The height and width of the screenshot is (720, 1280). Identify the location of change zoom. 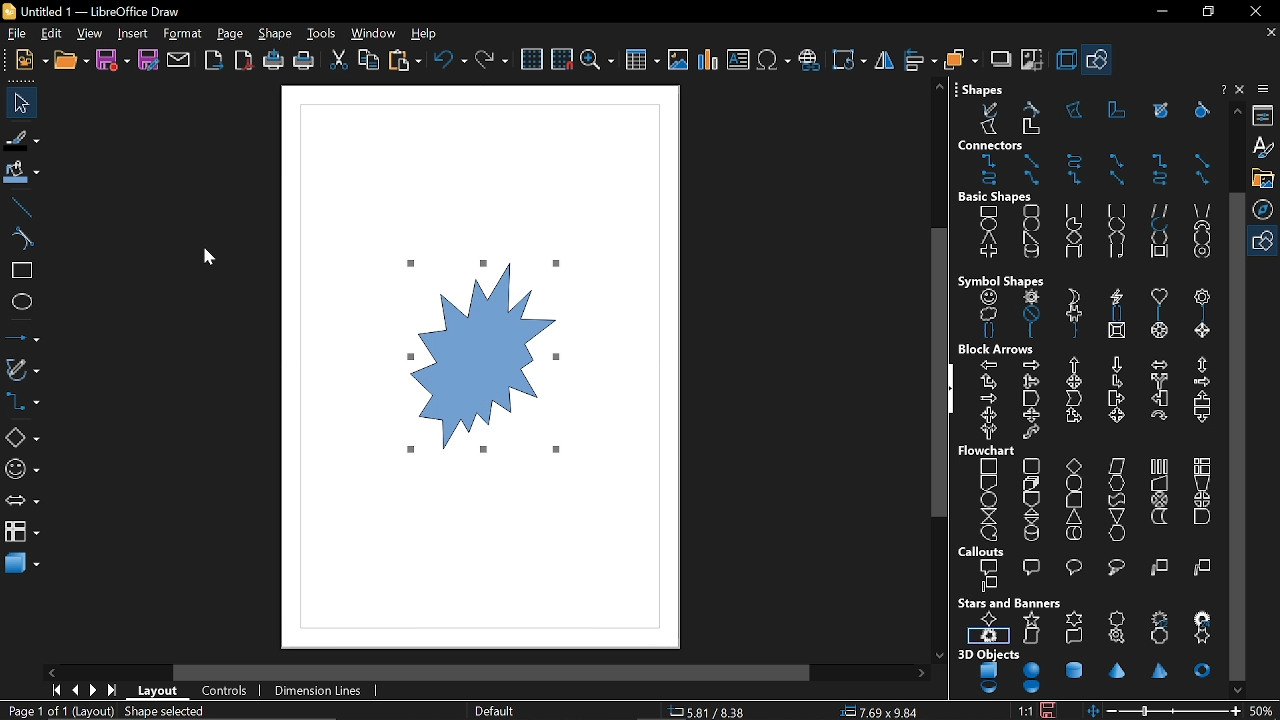
(1165, 711).